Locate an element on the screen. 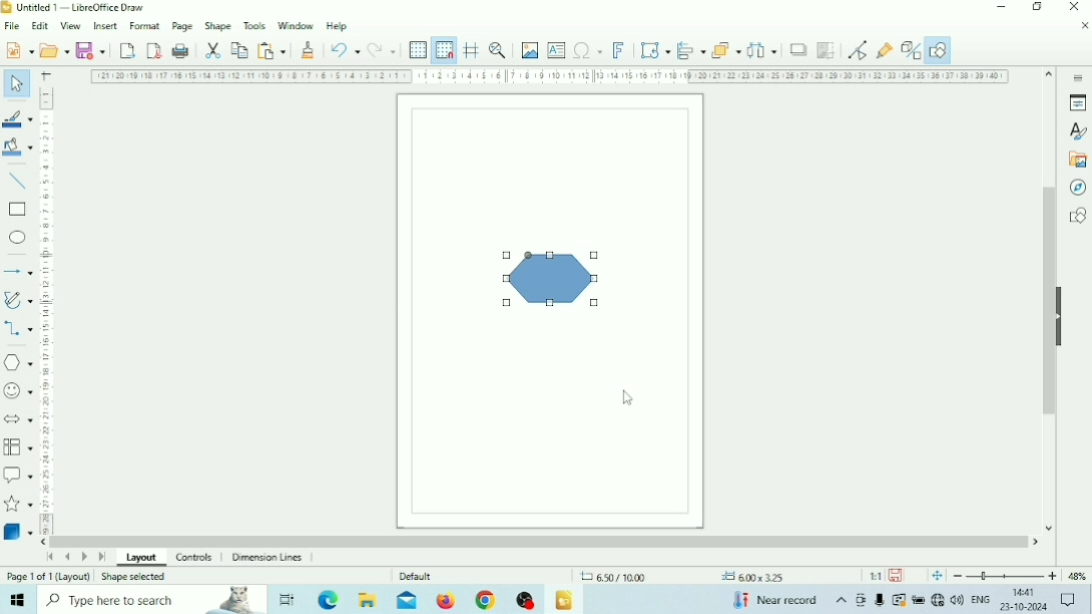 Image resolution: width=1092 pixels, height=614 pixels. Zoom Out/In is located at coordinates (1005, 576).